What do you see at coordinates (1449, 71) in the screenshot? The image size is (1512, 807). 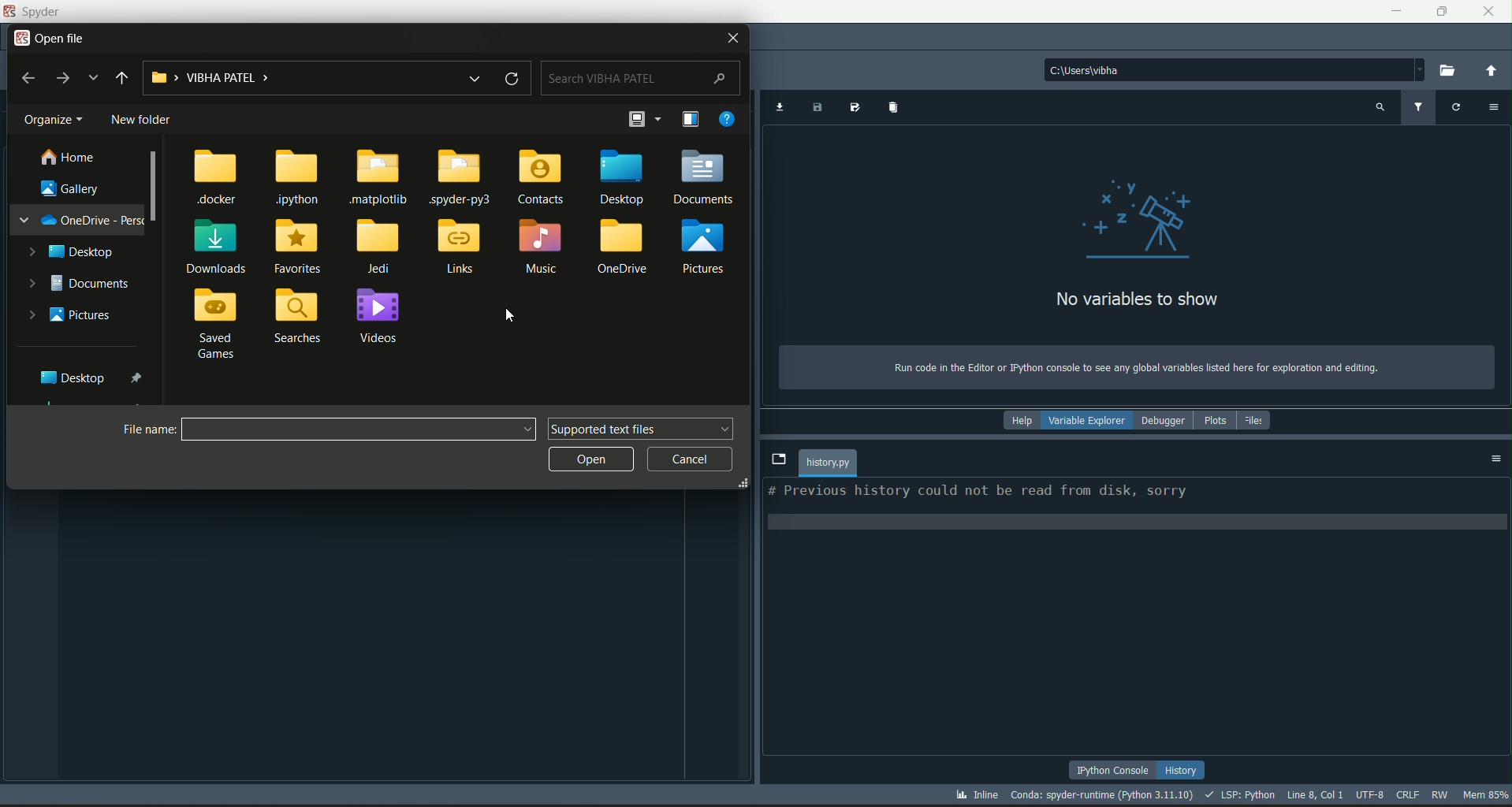 I see `browse a working directory` at bounding box center [1449, 71].